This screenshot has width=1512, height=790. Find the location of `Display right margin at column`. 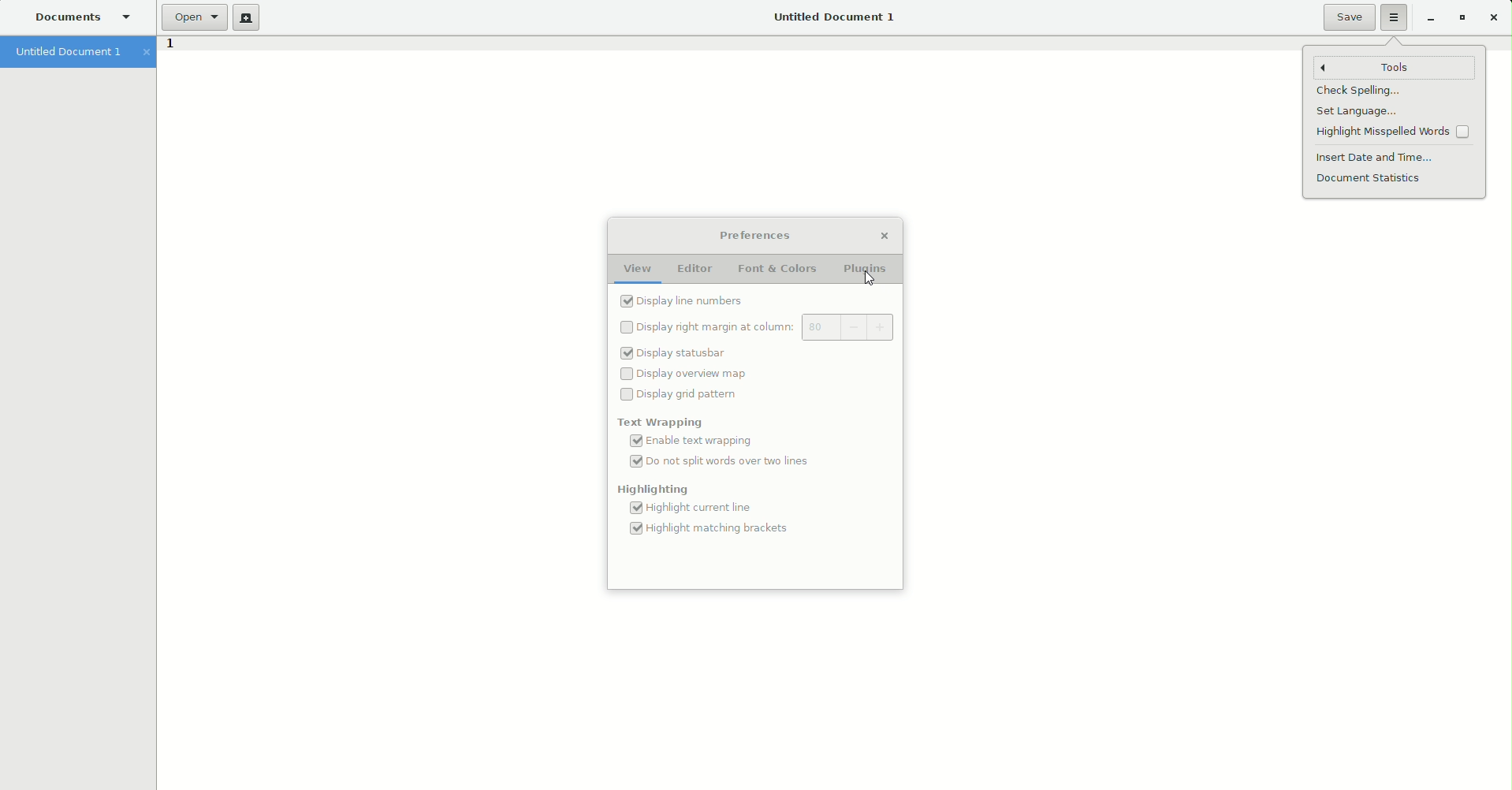

Display right margin at column is located at coordinates (708, 326).